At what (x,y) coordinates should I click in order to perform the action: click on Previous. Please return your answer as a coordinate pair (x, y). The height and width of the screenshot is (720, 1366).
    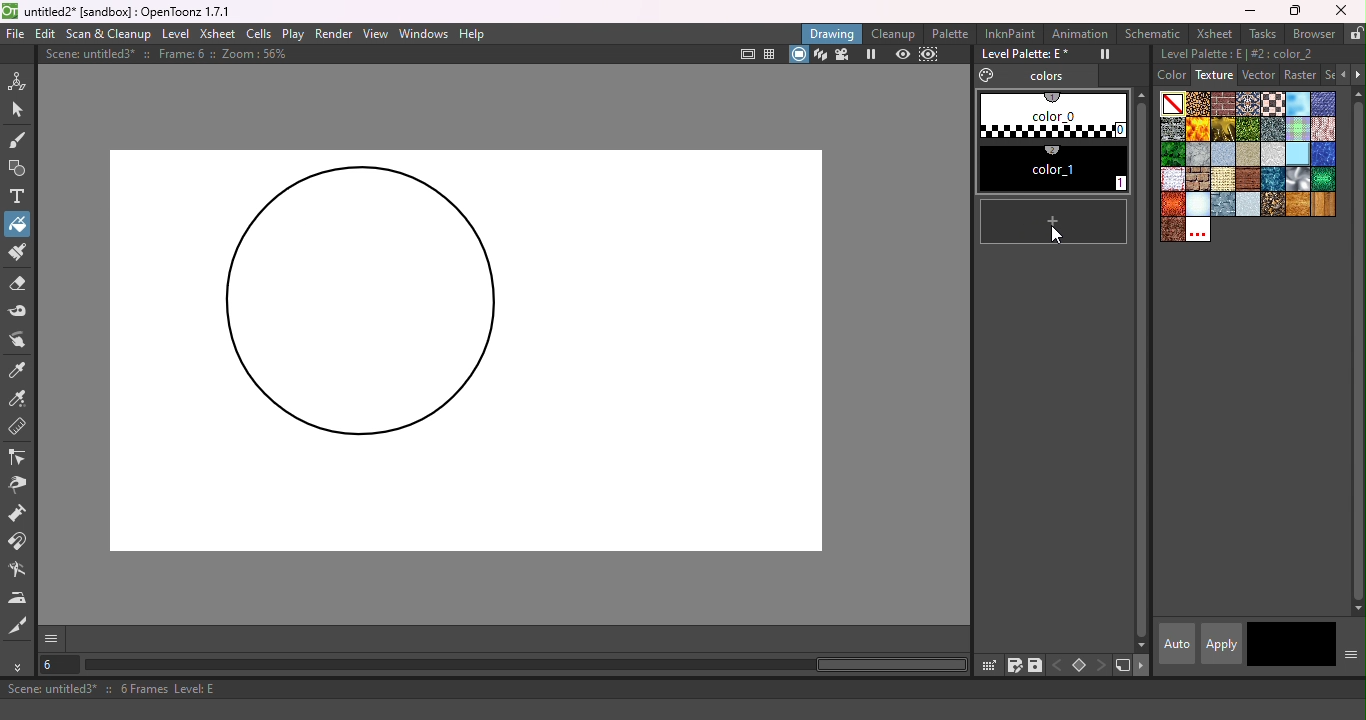
    Looking at the image, I should click on (1339, 74).